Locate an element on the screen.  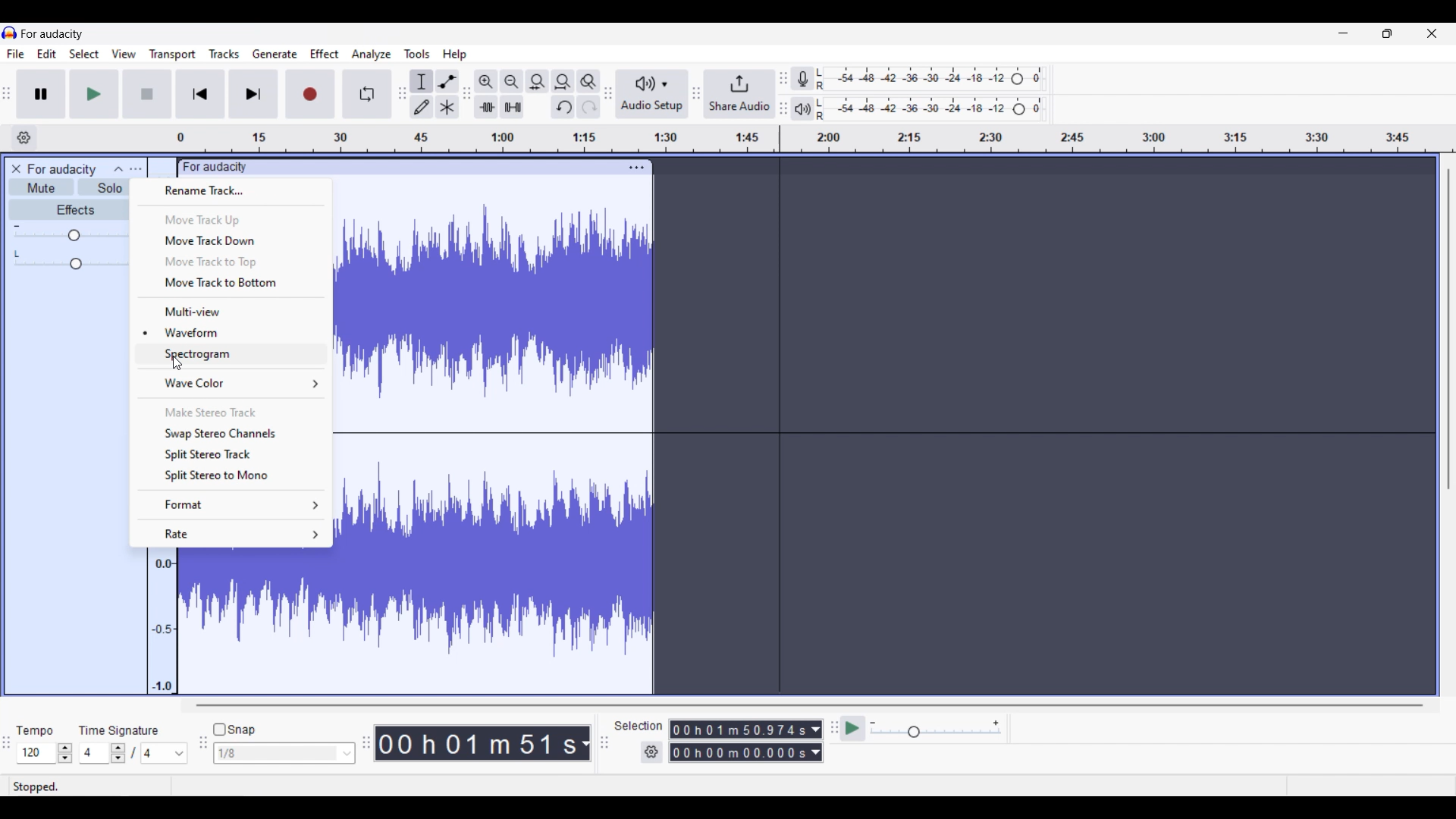
Software logo is located at coordinates (9, 32).